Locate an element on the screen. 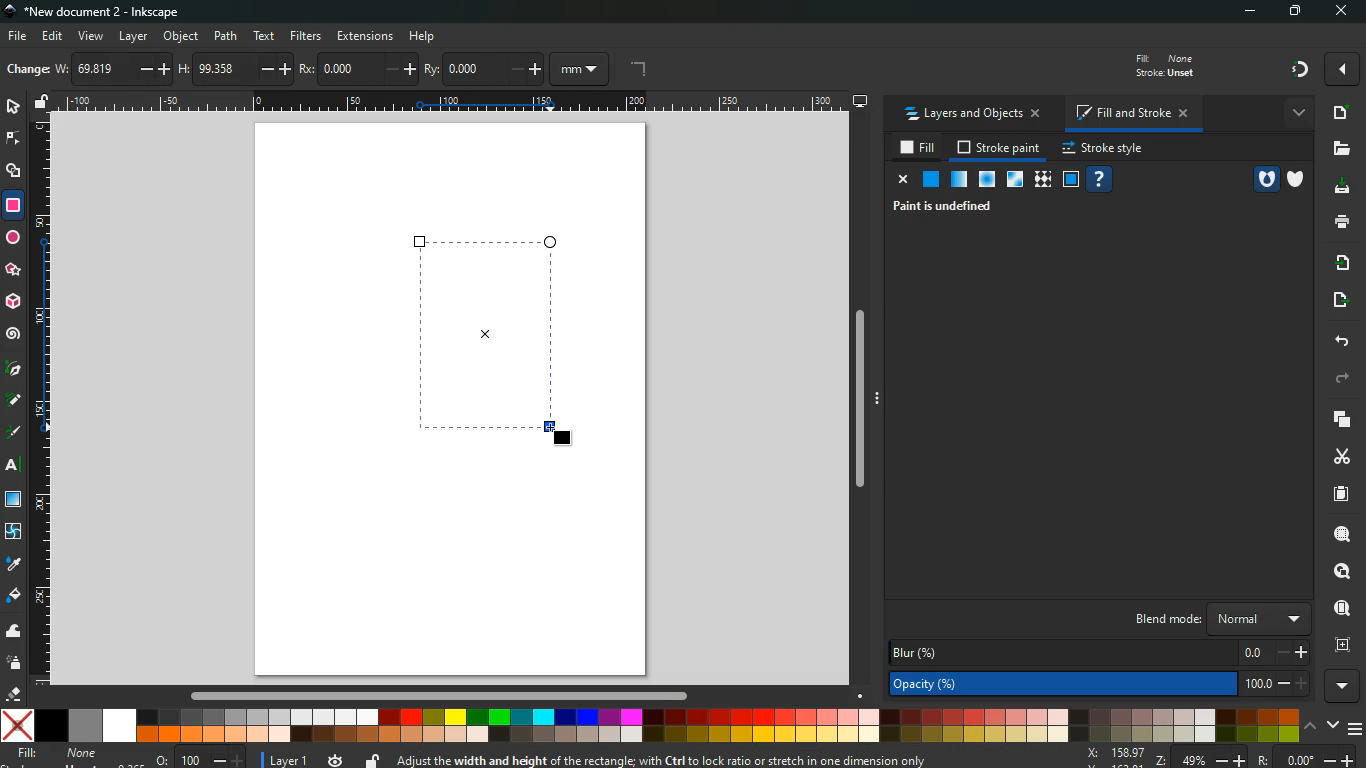  maximize is located at coordinates (1295, 13).